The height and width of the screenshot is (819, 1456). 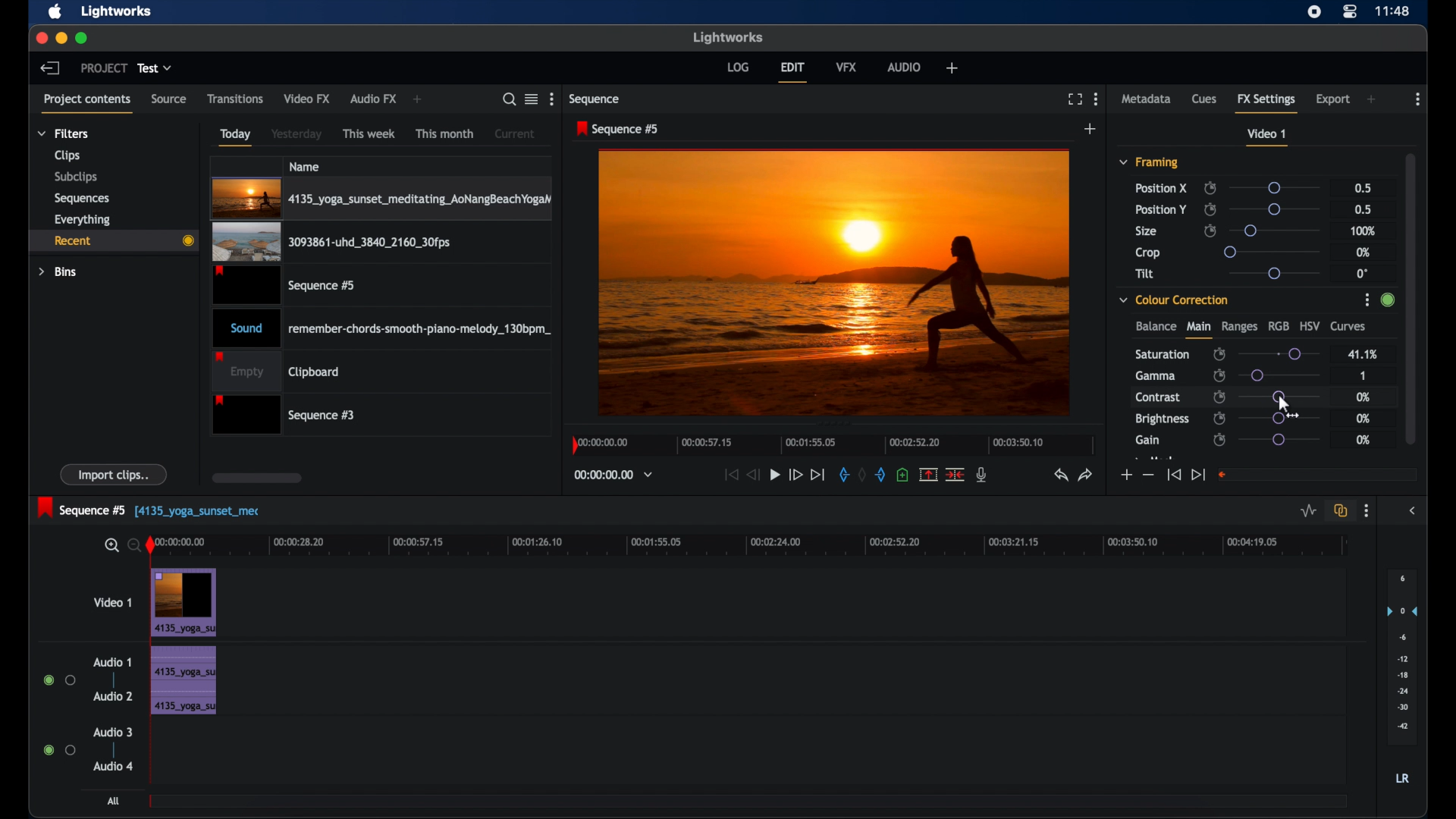 What do you see at coordinates (1219, 418) in the screenshot?
I see `enable/disable keyframes` at bounding box center [1219, 418].